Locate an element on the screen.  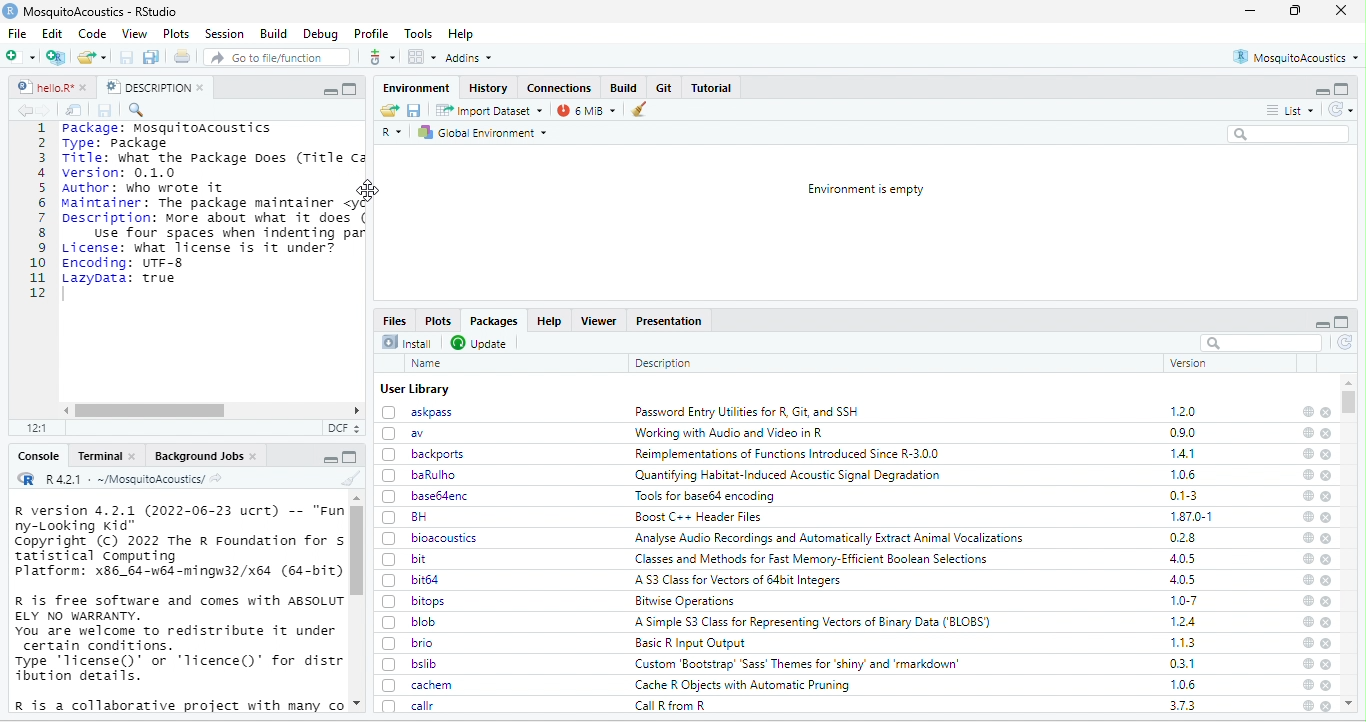
help is located at coordinates (1308, 580).